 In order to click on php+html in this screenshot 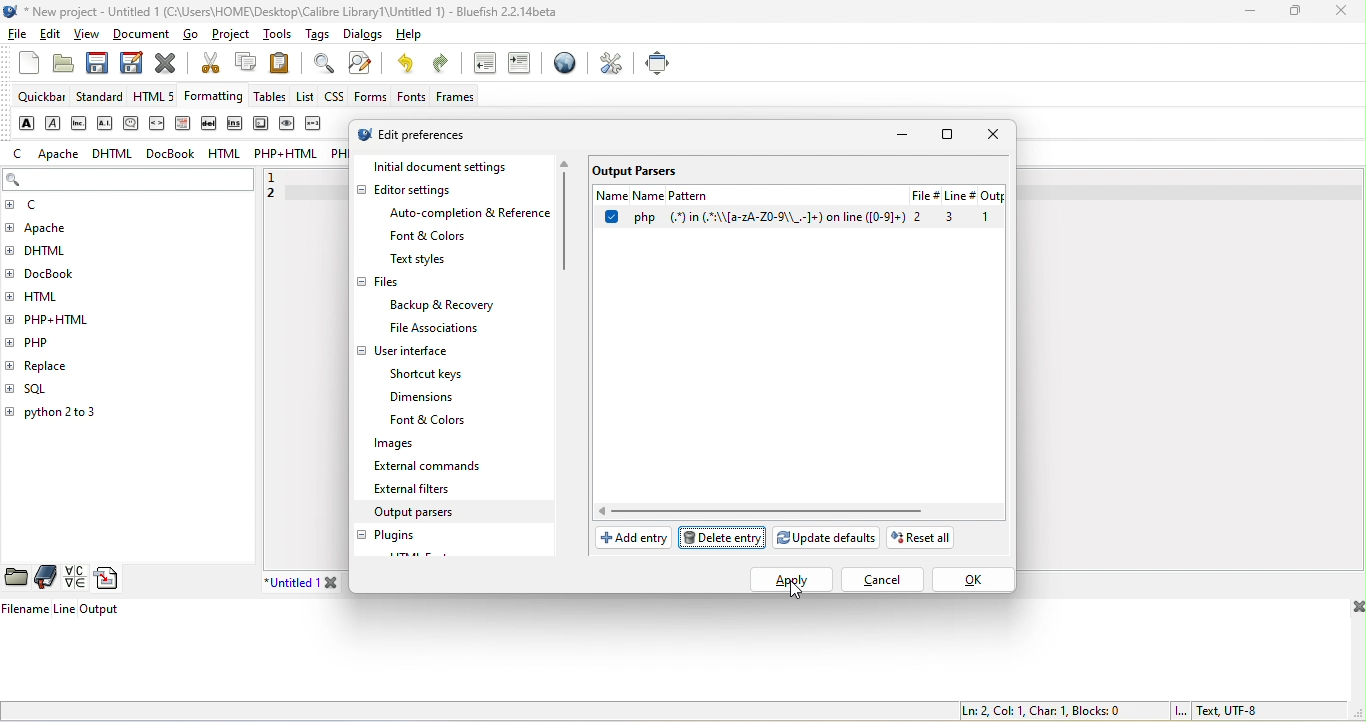, I will do `click(287, 156)`.